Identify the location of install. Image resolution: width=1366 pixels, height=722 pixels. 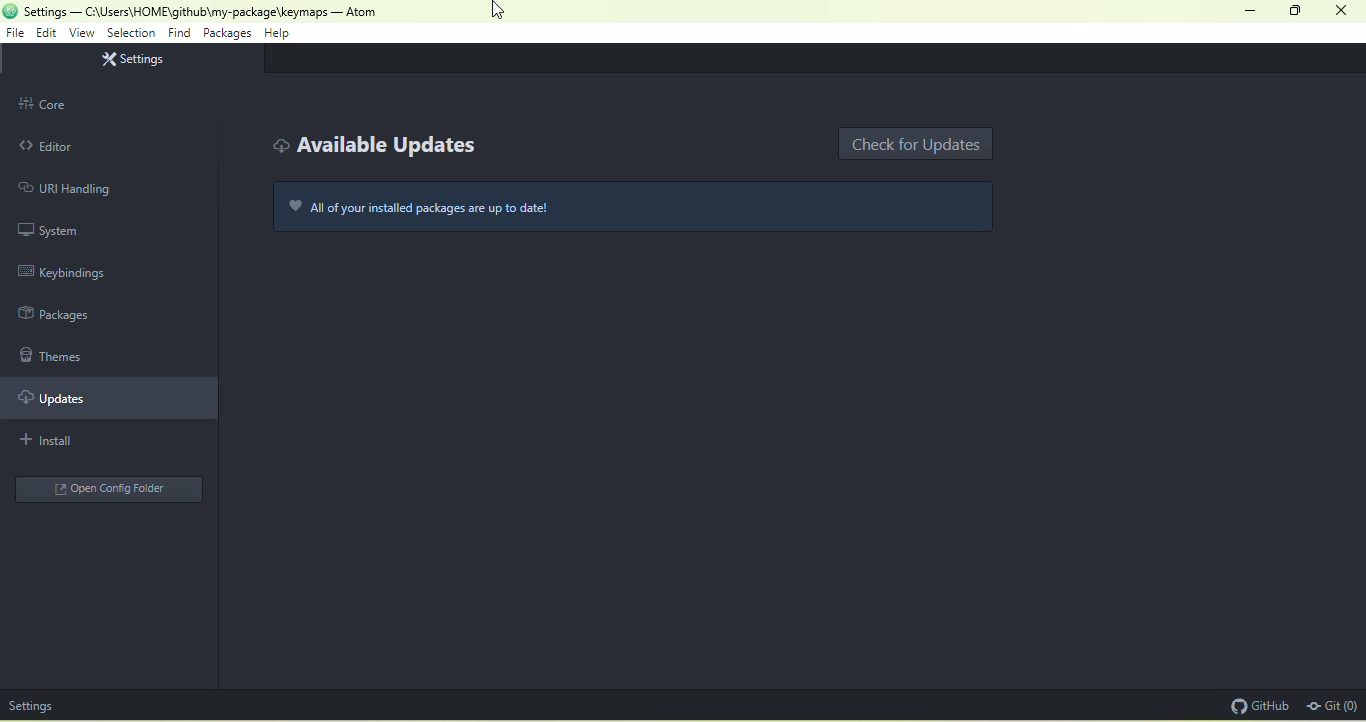
(78, 442).